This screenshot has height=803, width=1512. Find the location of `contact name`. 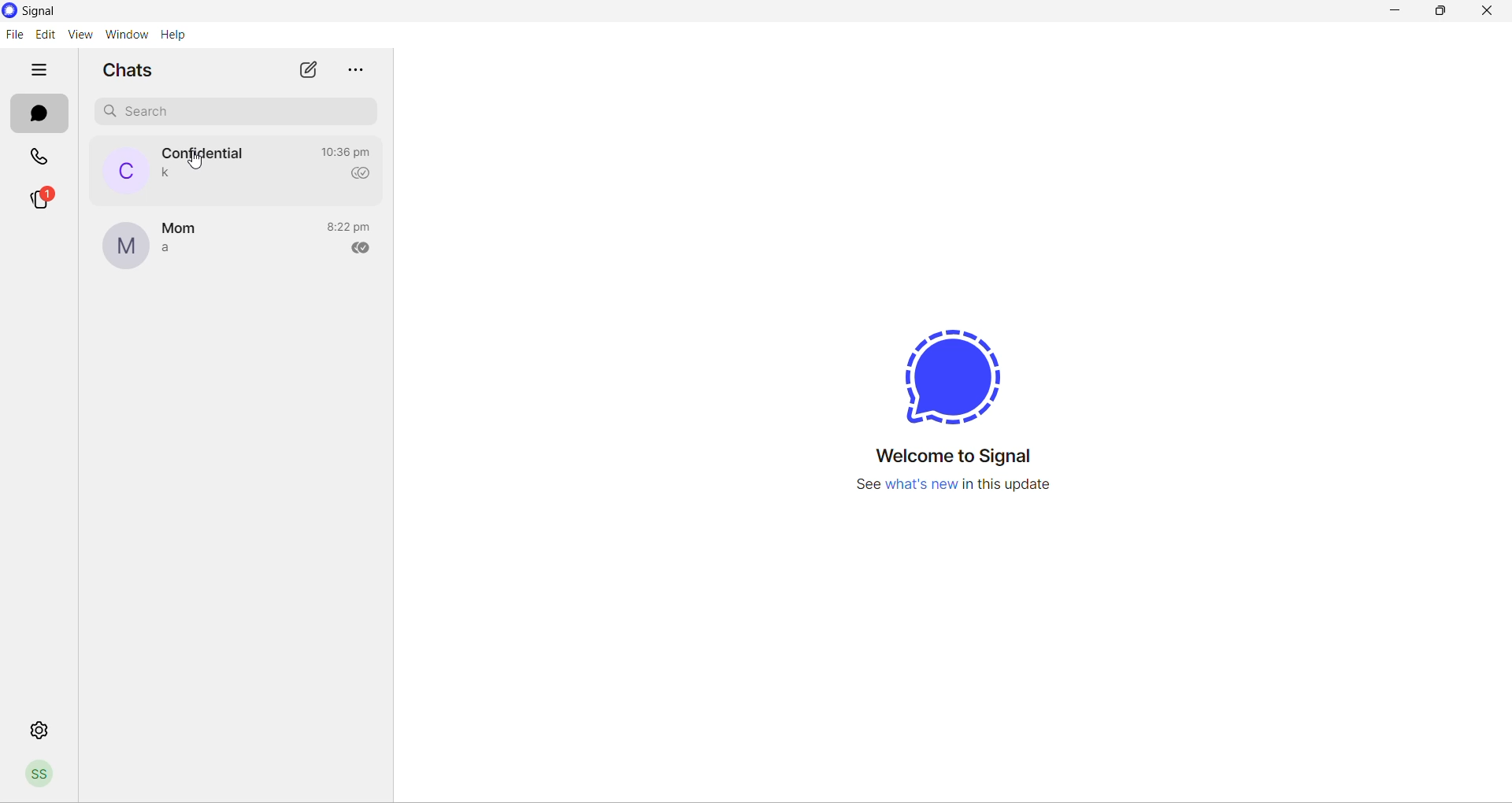

contact name is located at coordinates (206, 154).